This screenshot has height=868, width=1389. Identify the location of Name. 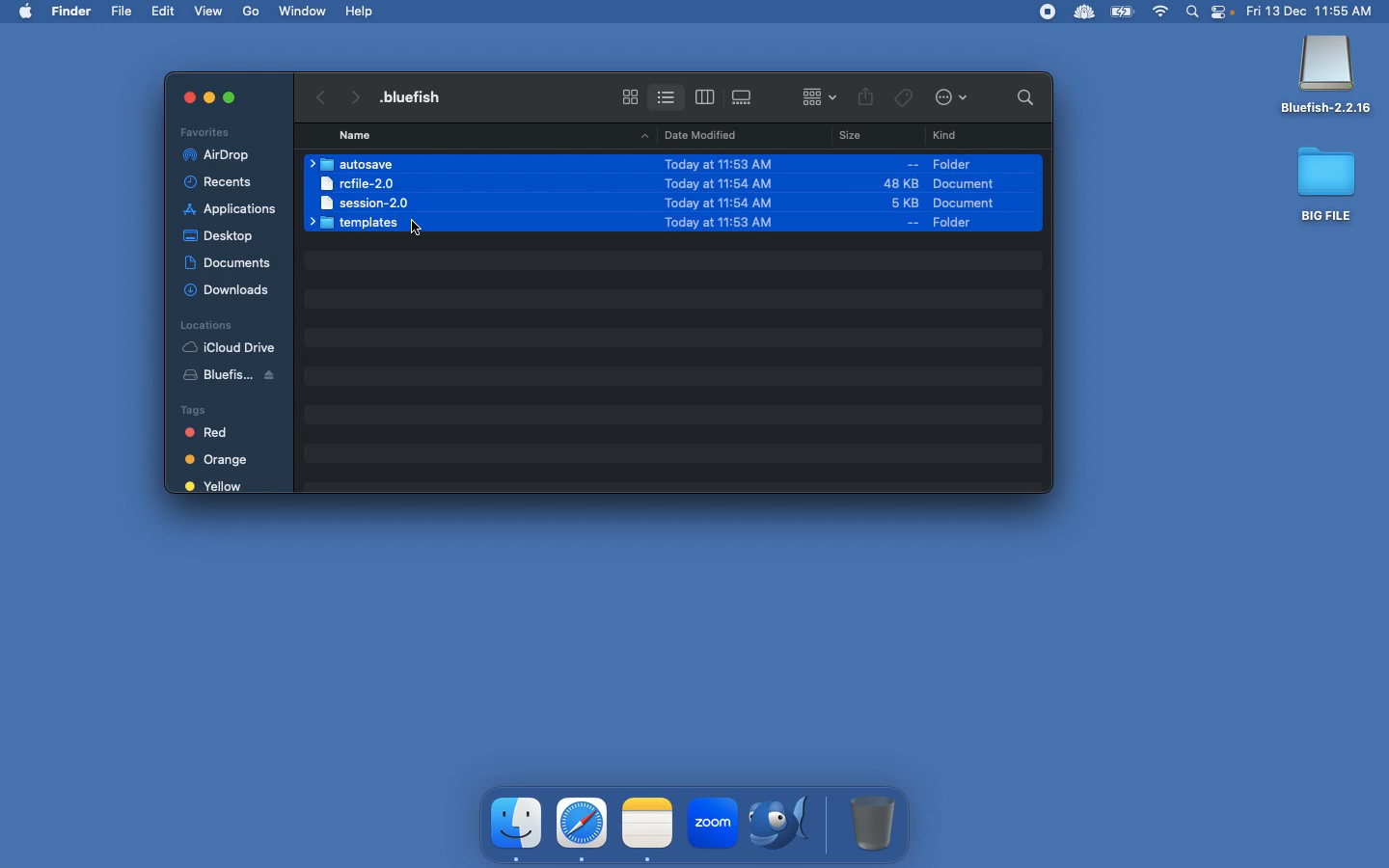
(357, 135).